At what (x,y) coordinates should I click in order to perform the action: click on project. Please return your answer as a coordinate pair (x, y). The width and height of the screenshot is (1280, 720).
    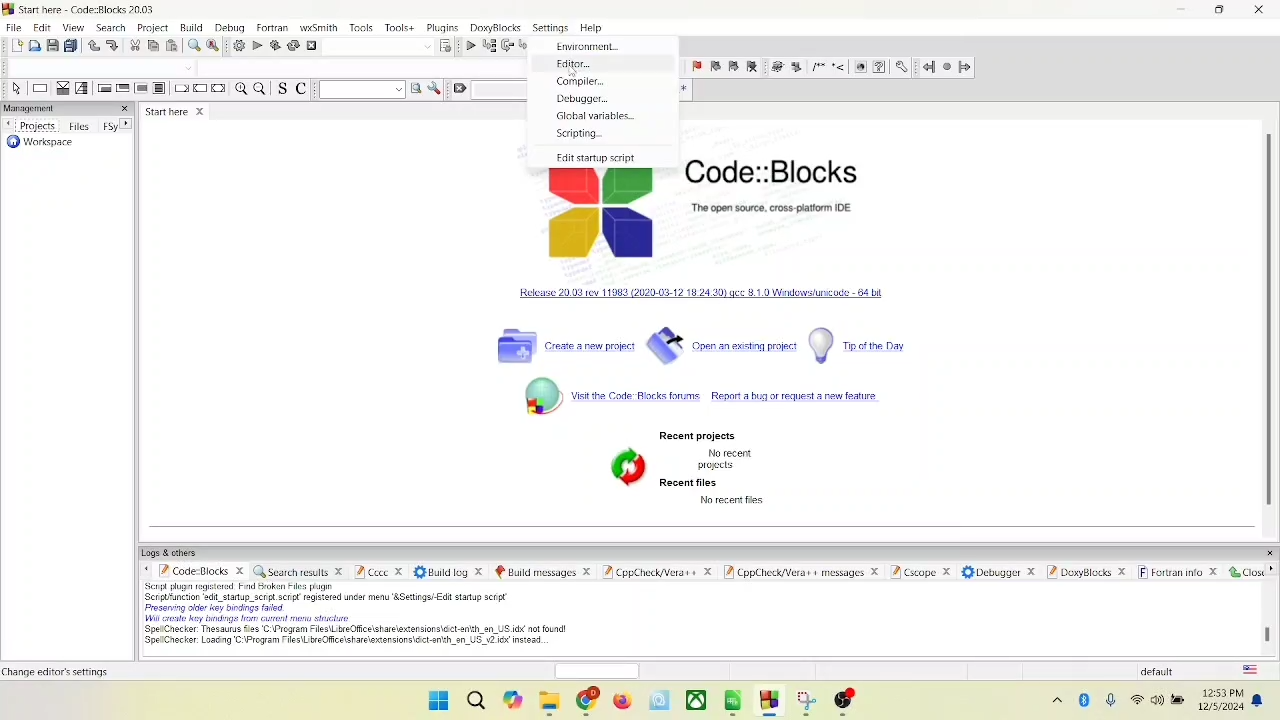
    Looking at the image, I should click on (154, 28).